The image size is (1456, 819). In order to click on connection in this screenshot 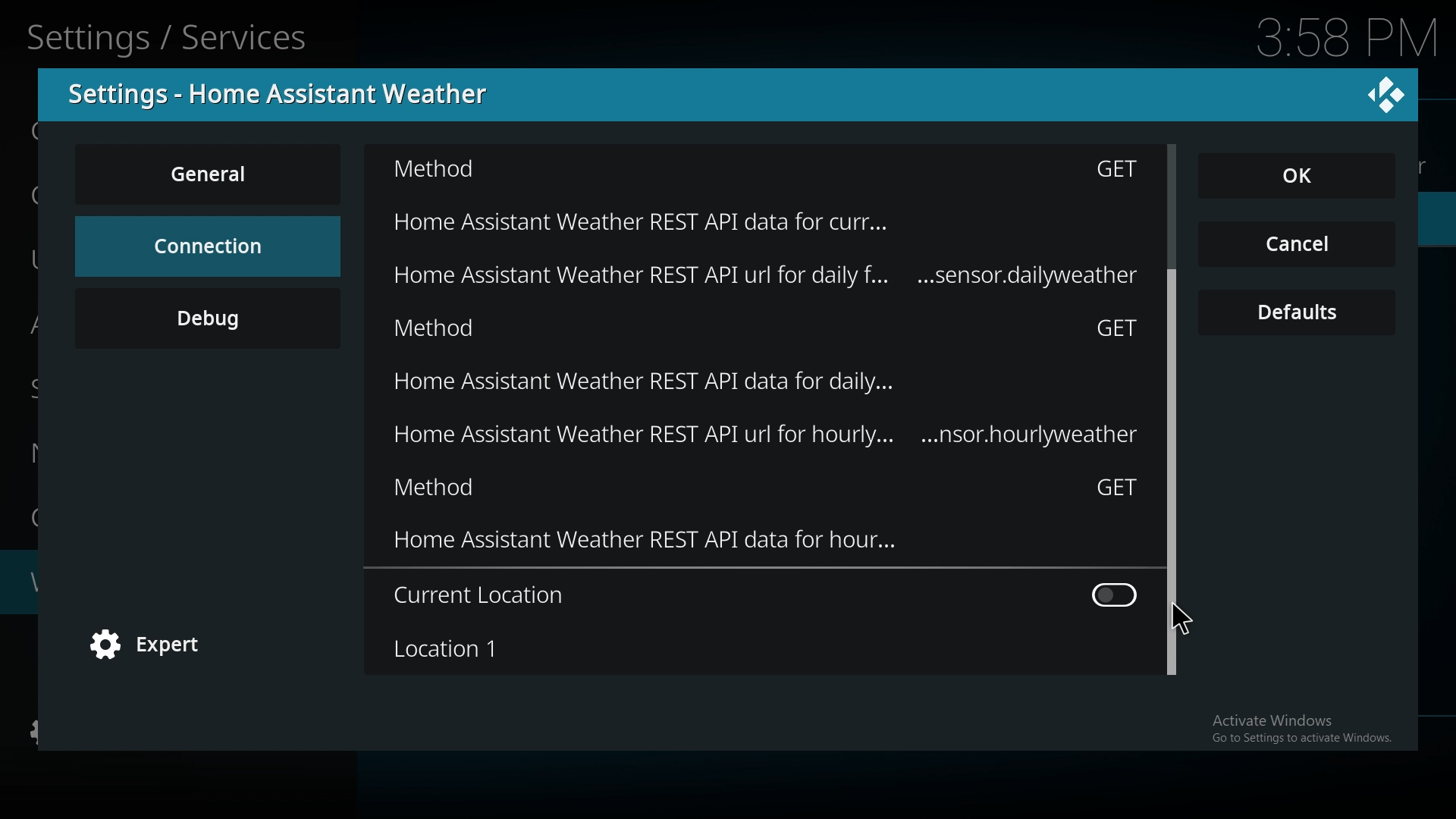, I will do `click(206, 246)`.